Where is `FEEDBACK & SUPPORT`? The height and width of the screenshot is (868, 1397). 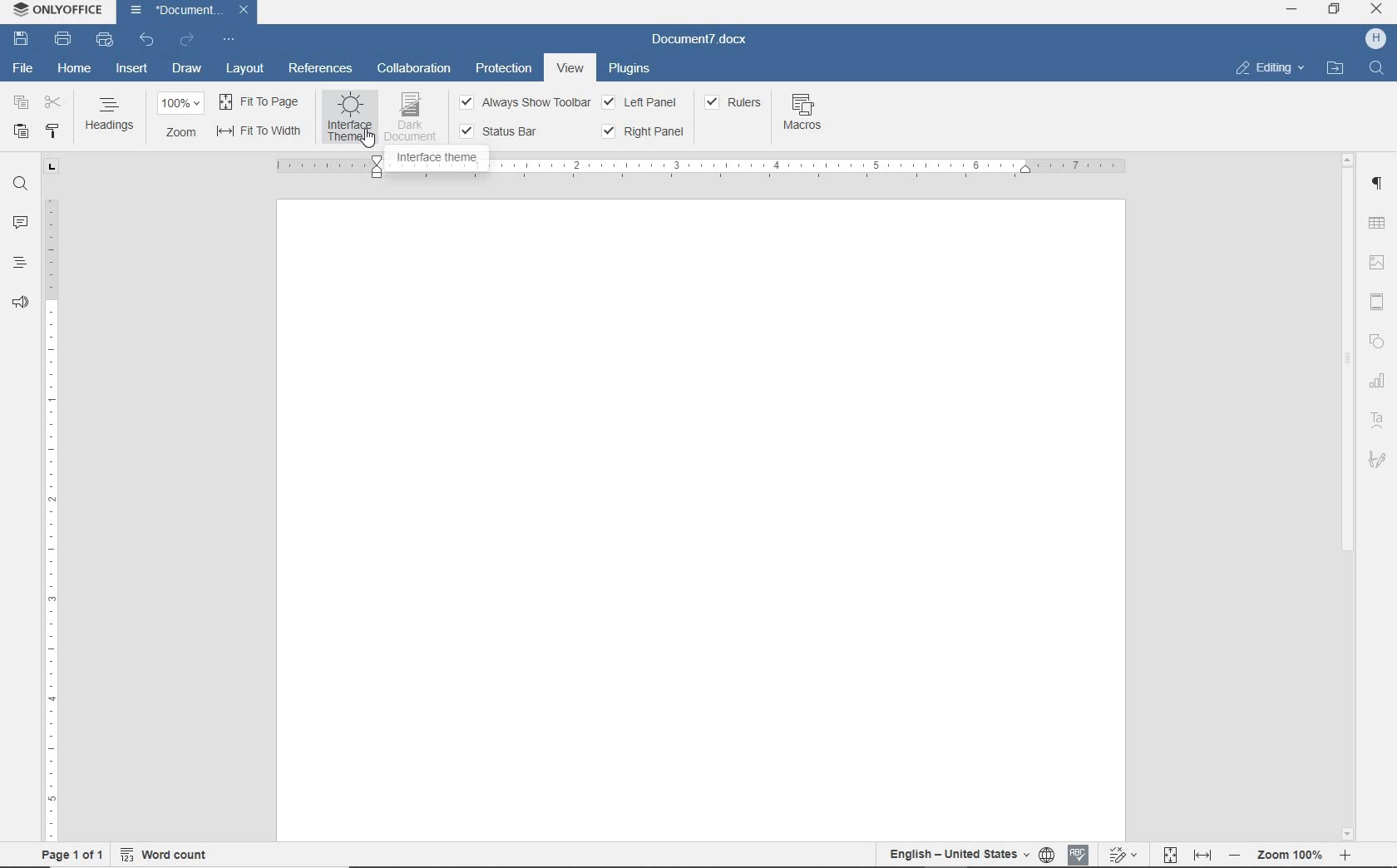
FEEDBACK & SUPPORT is located at coordinates (19, 304).